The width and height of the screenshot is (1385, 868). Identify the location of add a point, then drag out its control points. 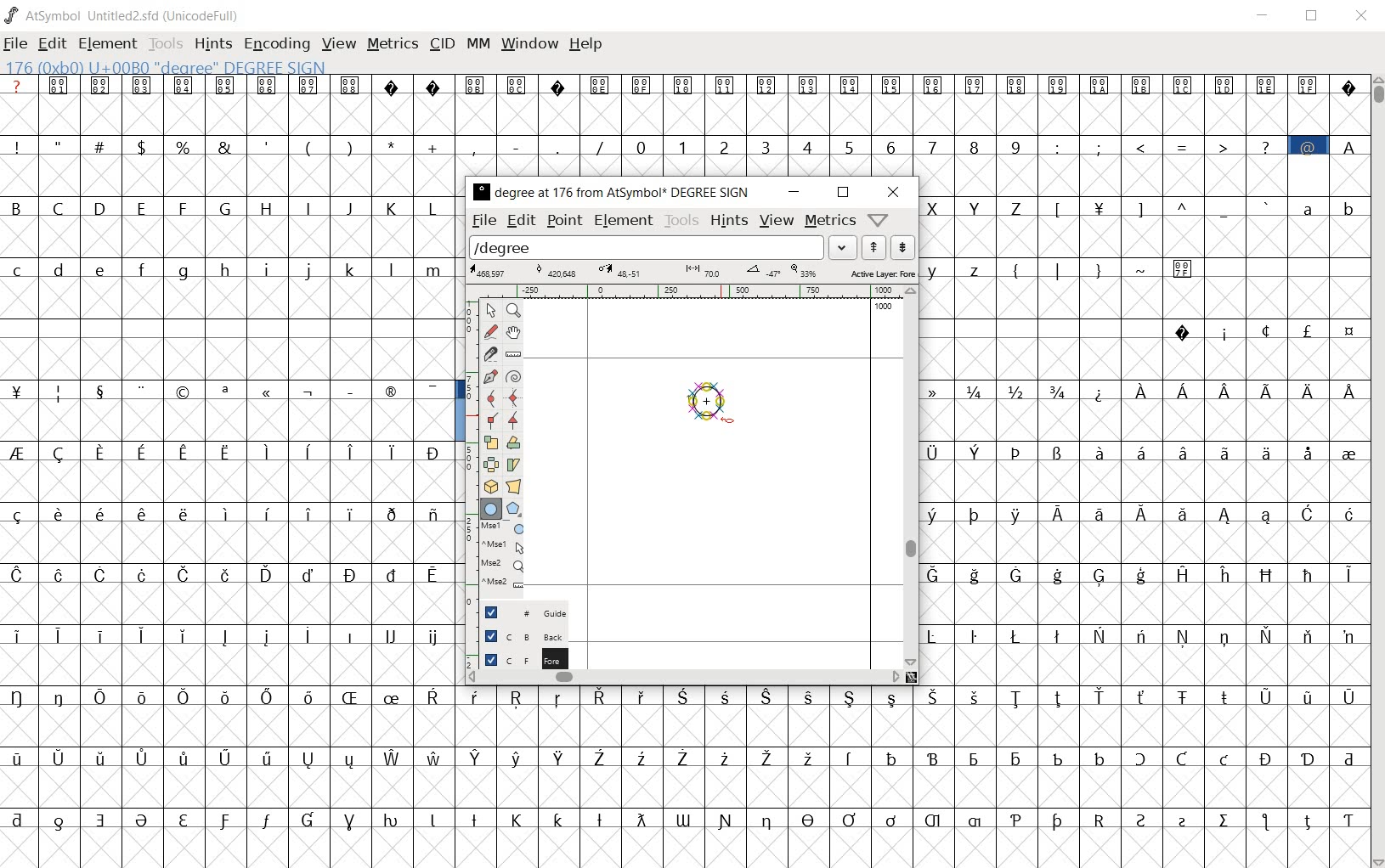
(488, 375).